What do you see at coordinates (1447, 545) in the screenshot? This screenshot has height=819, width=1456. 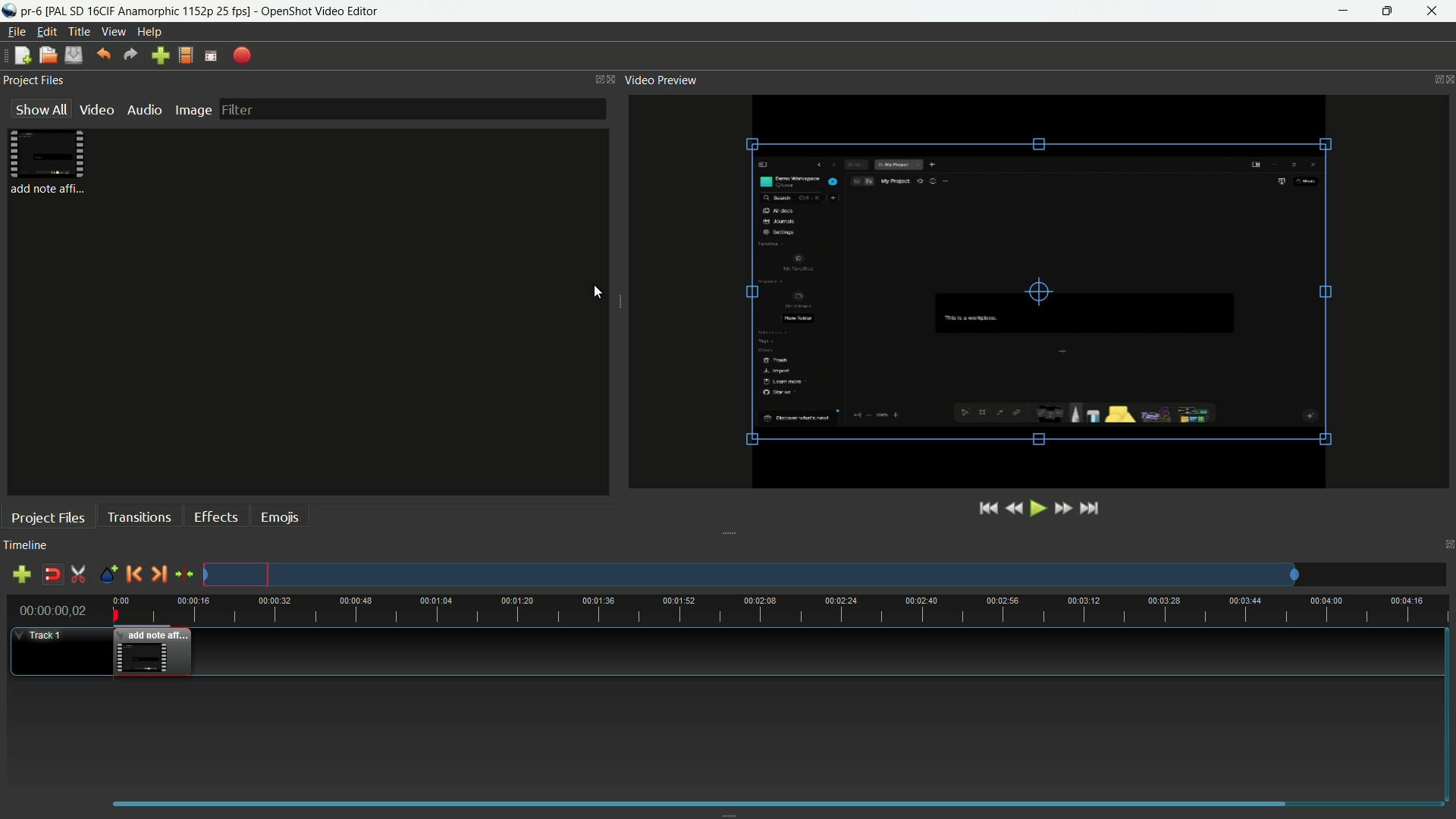 I see `close timeline` at bounding box center [1447, 545].